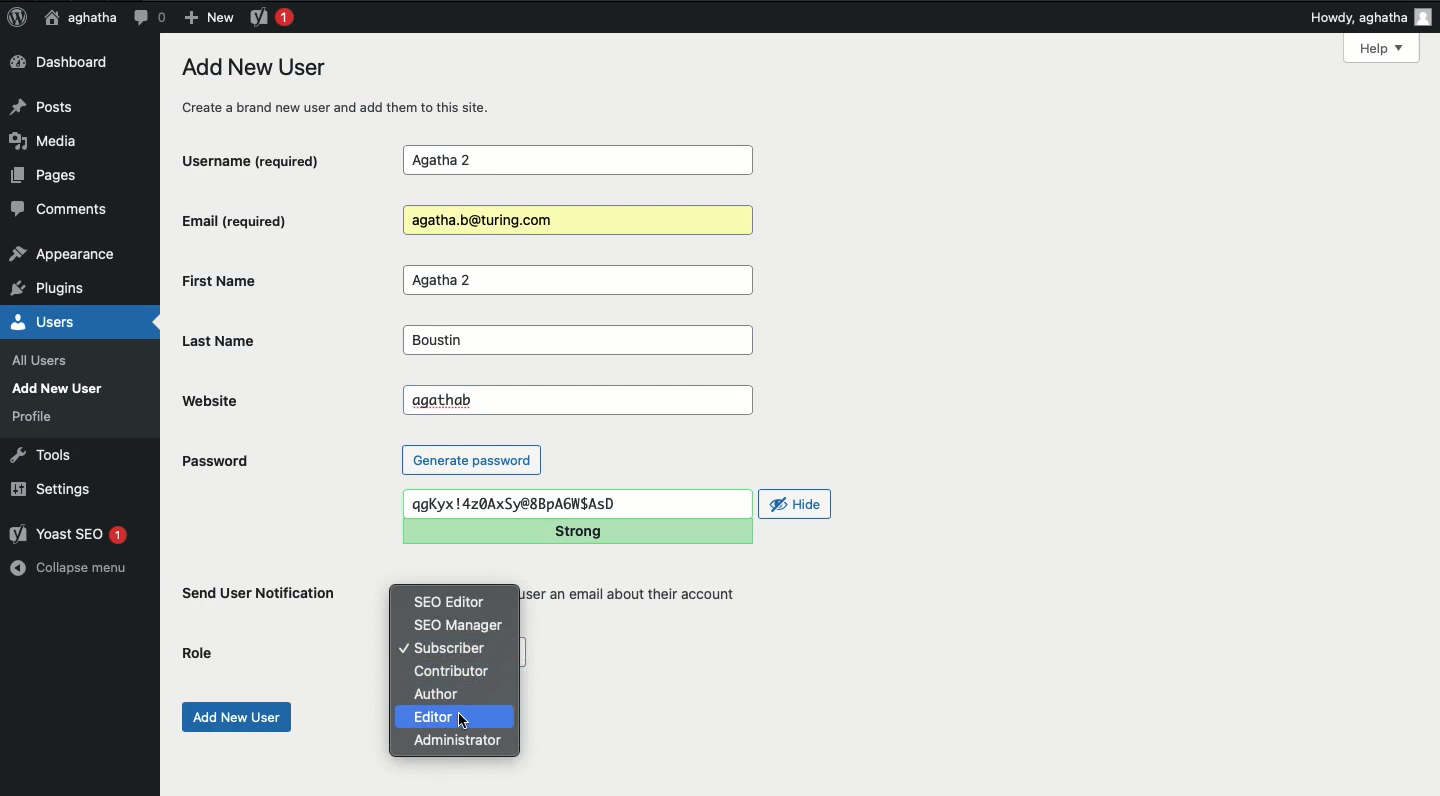 The height and width of the screenshot is (796, 1440). Describe the element at coordinates (455, 670) in the screenshot. I see `Contributor` at that location.